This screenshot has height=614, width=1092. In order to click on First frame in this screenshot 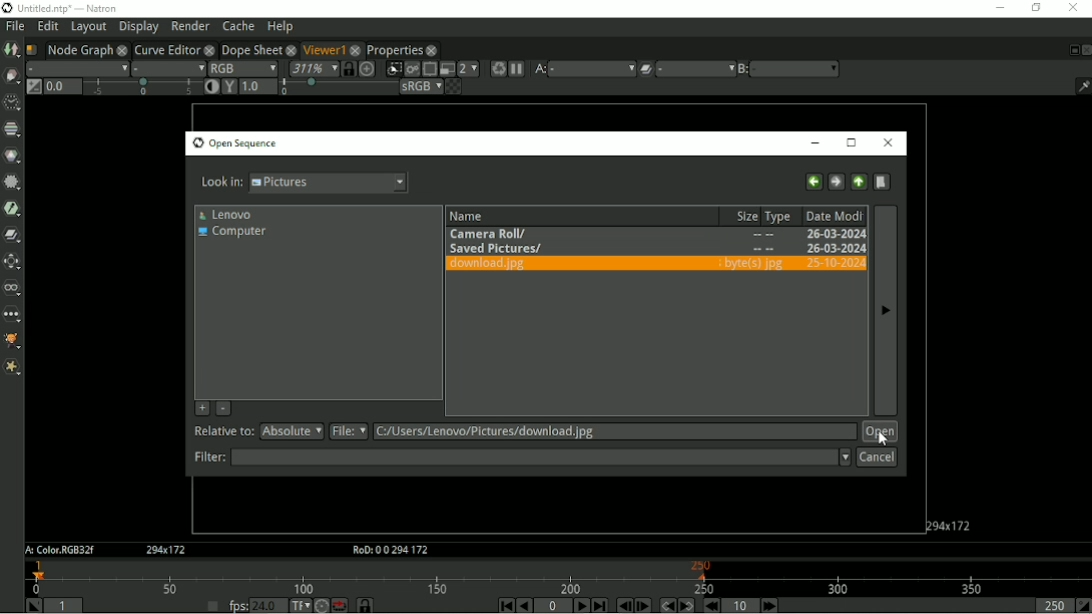, I will do `click(505, 605)`.